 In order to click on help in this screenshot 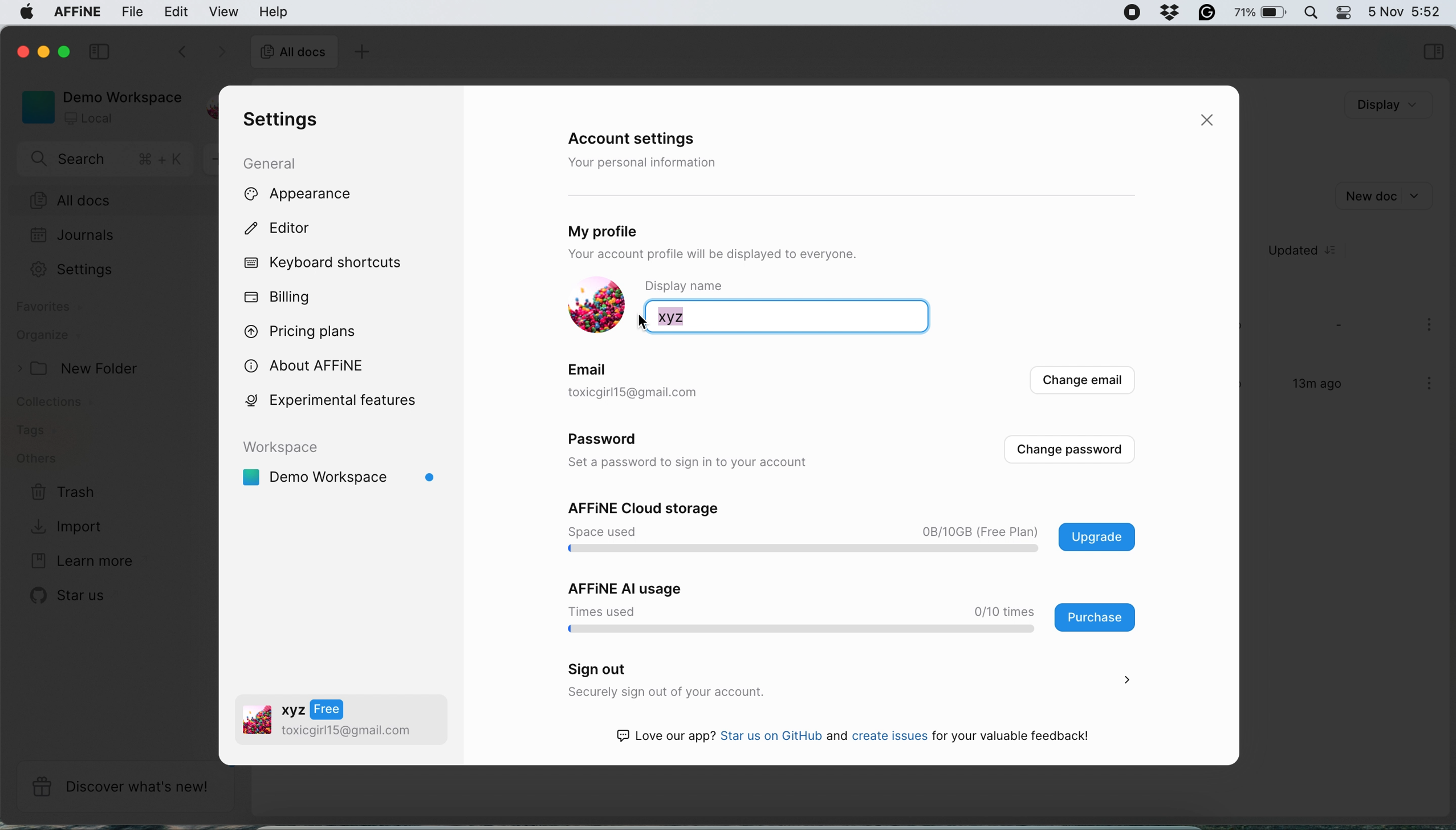, I will do `click(273, 11)`.